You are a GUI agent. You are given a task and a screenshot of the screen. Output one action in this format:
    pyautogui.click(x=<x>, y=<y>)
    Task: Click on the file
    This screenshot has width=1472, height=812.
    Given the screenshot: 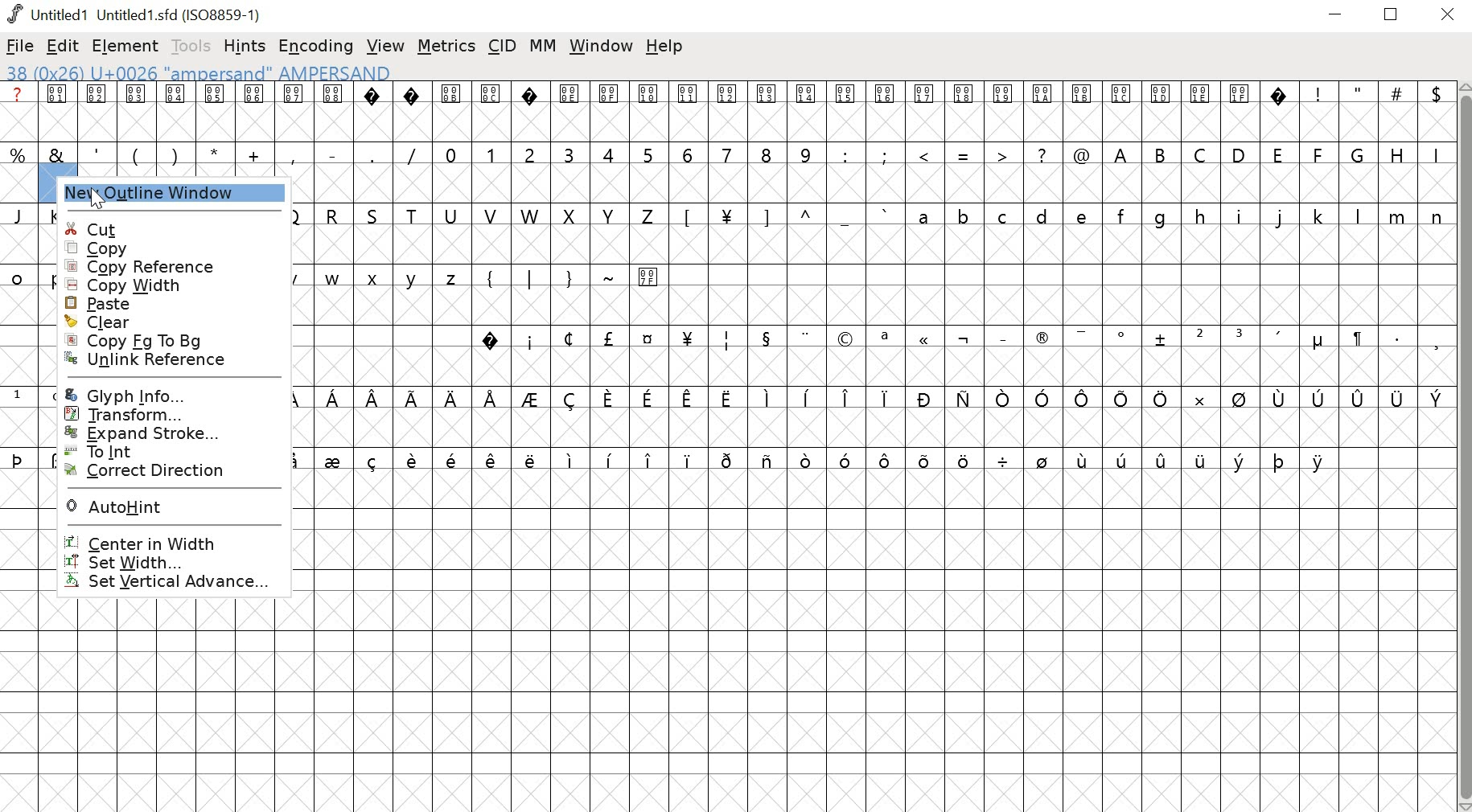 What is the action you would take?
    pyautogui.click(x=21, y=46)
    